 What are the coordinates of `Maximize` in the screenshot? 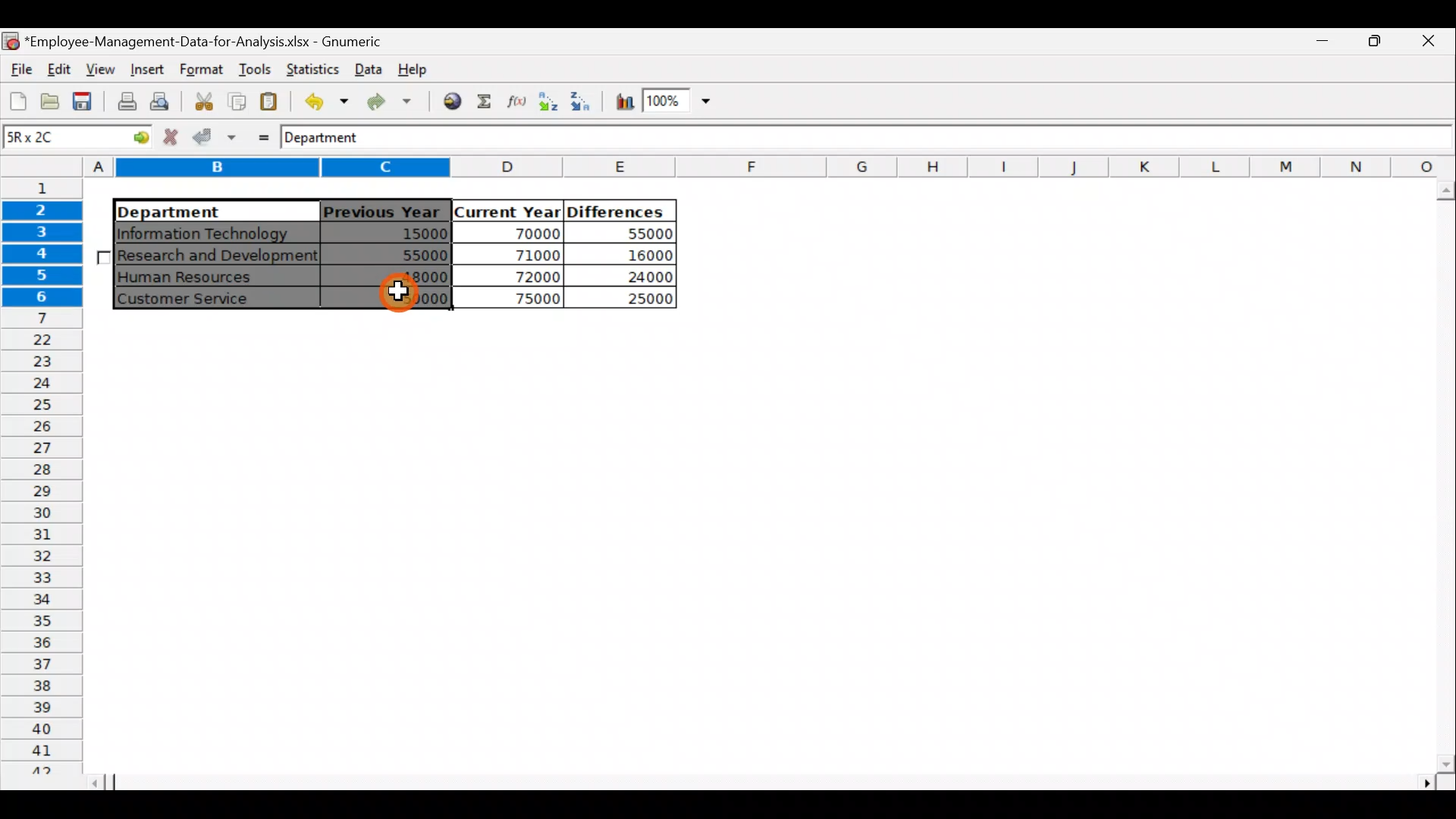 It's located at (1328, 43).